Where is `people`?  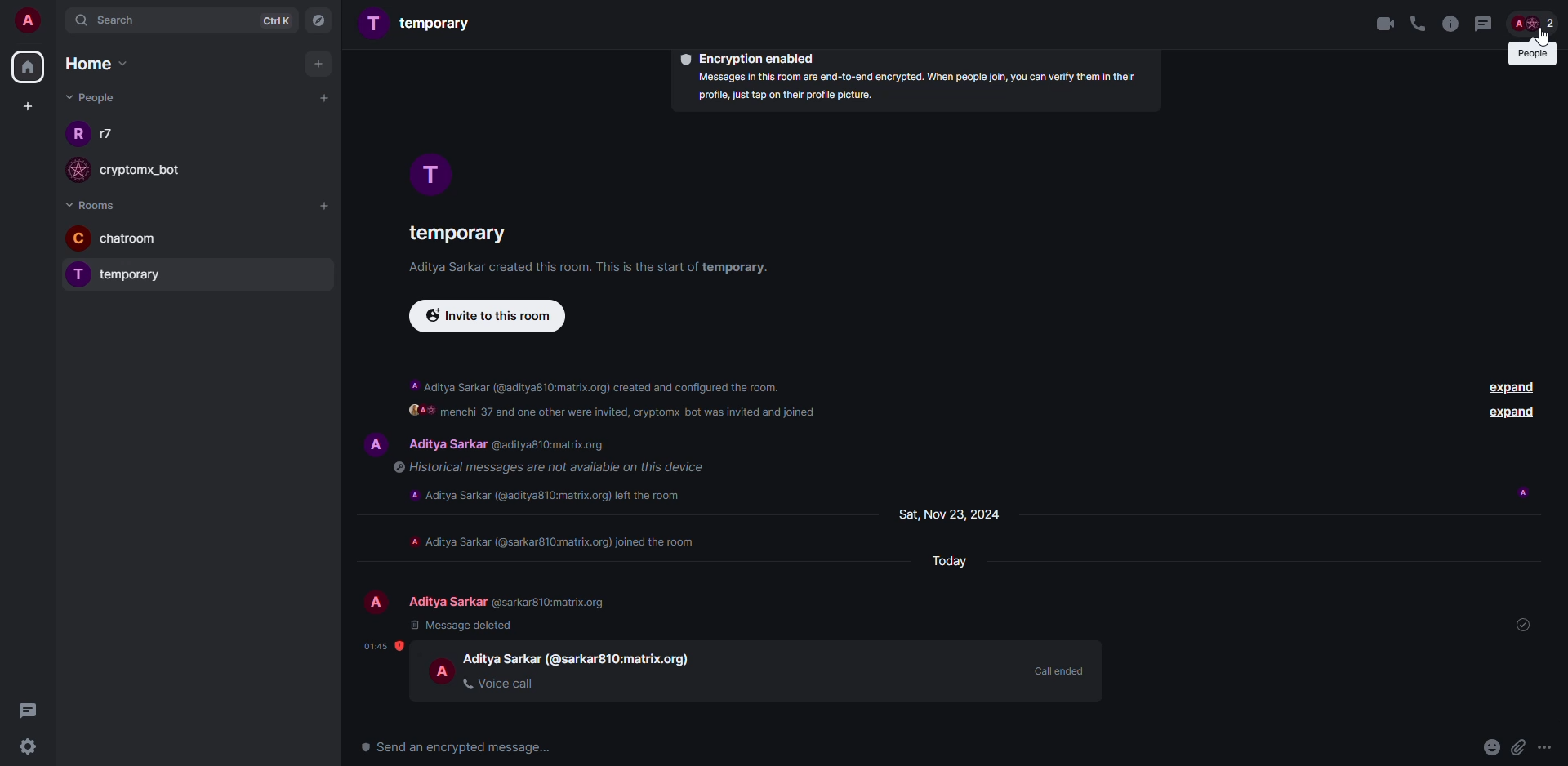 people is located at coordinates (90, 97).